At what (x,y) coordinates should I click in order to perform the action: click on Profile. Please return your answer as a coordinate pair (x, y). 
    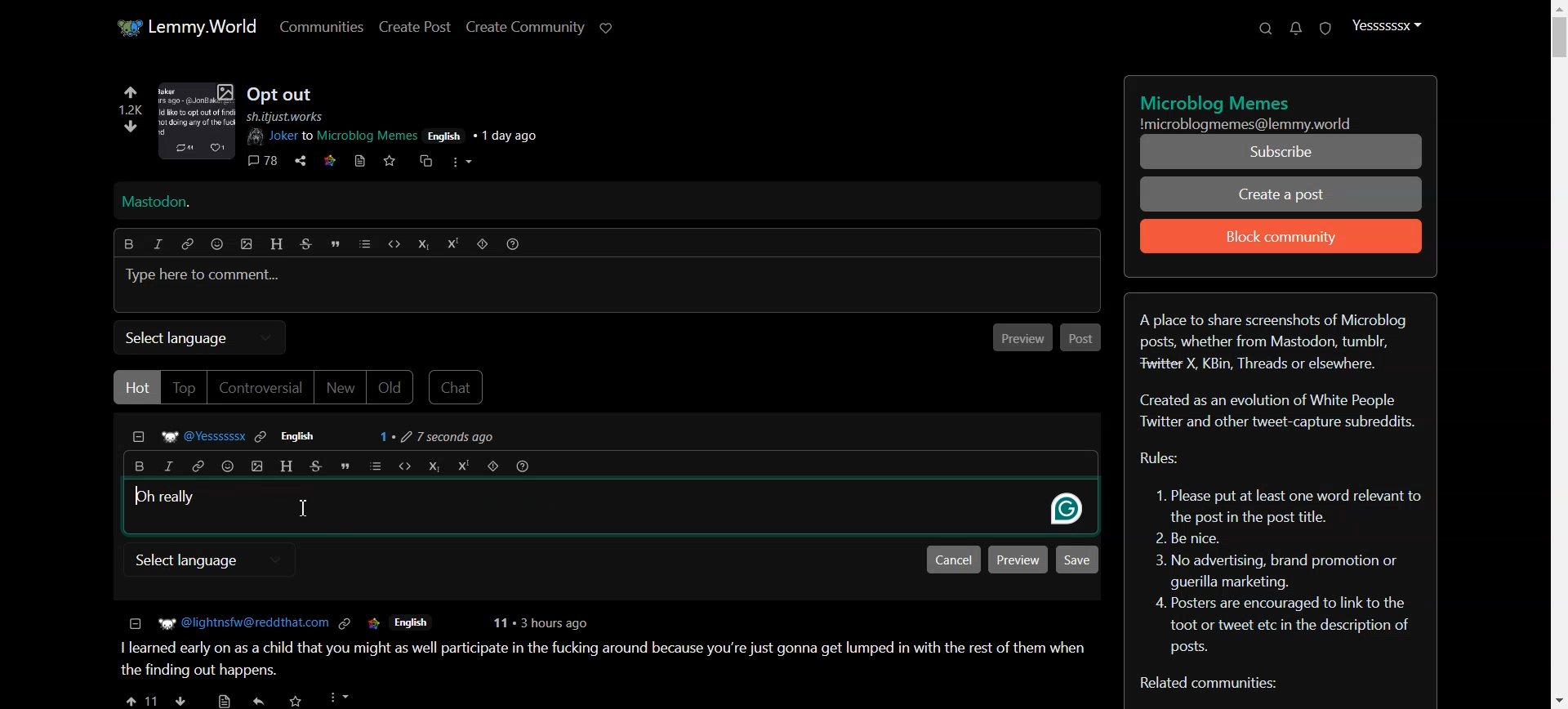
    Looking at the image, I should click on (1386, 25).